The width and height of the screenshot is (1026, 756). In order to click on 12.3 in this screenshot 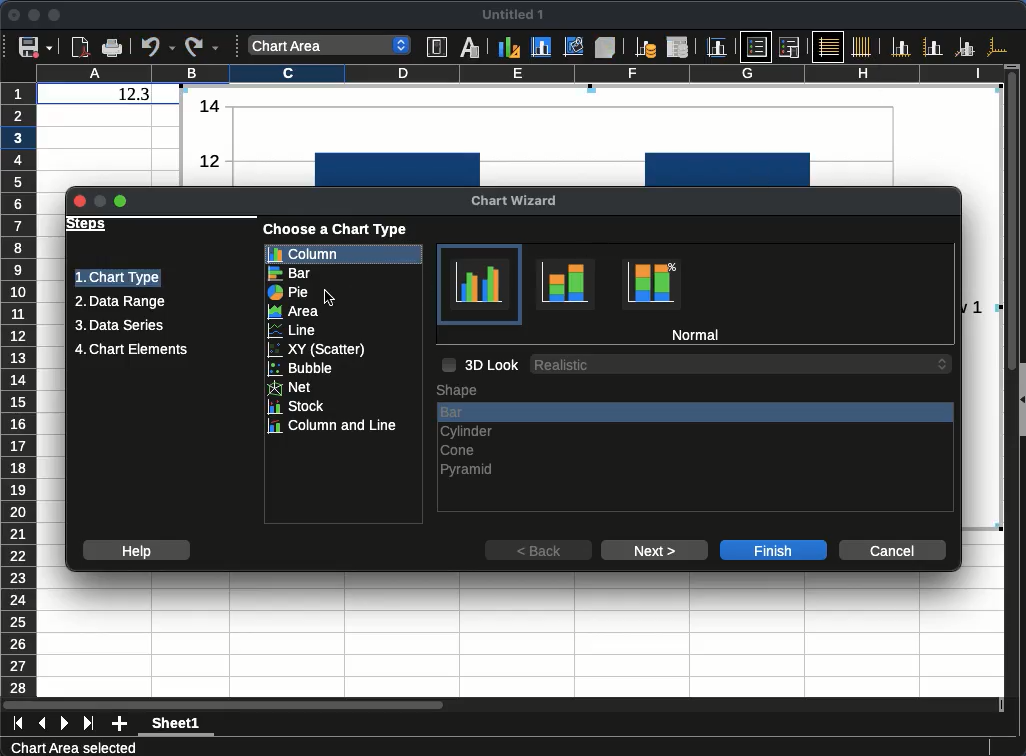, I will do `click(134, 94)`.